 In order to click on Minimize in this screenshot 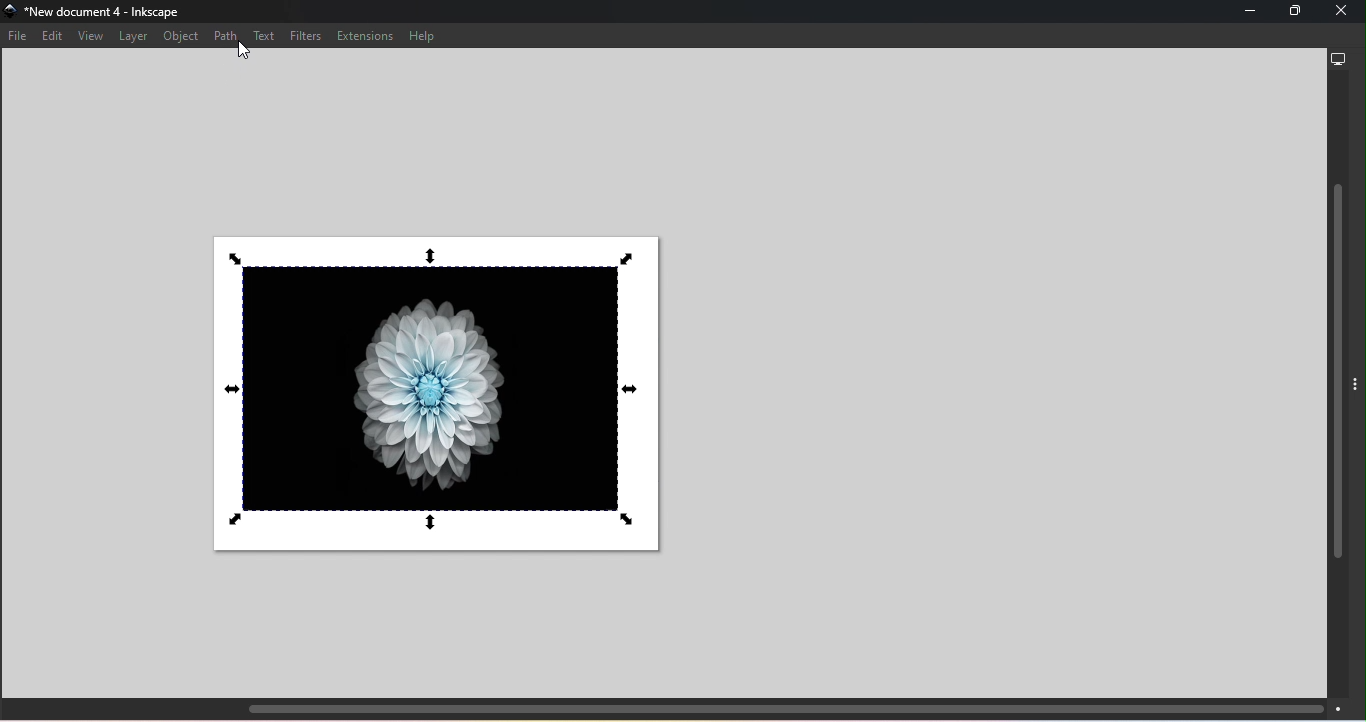, I will do `click(1246, 14)`.